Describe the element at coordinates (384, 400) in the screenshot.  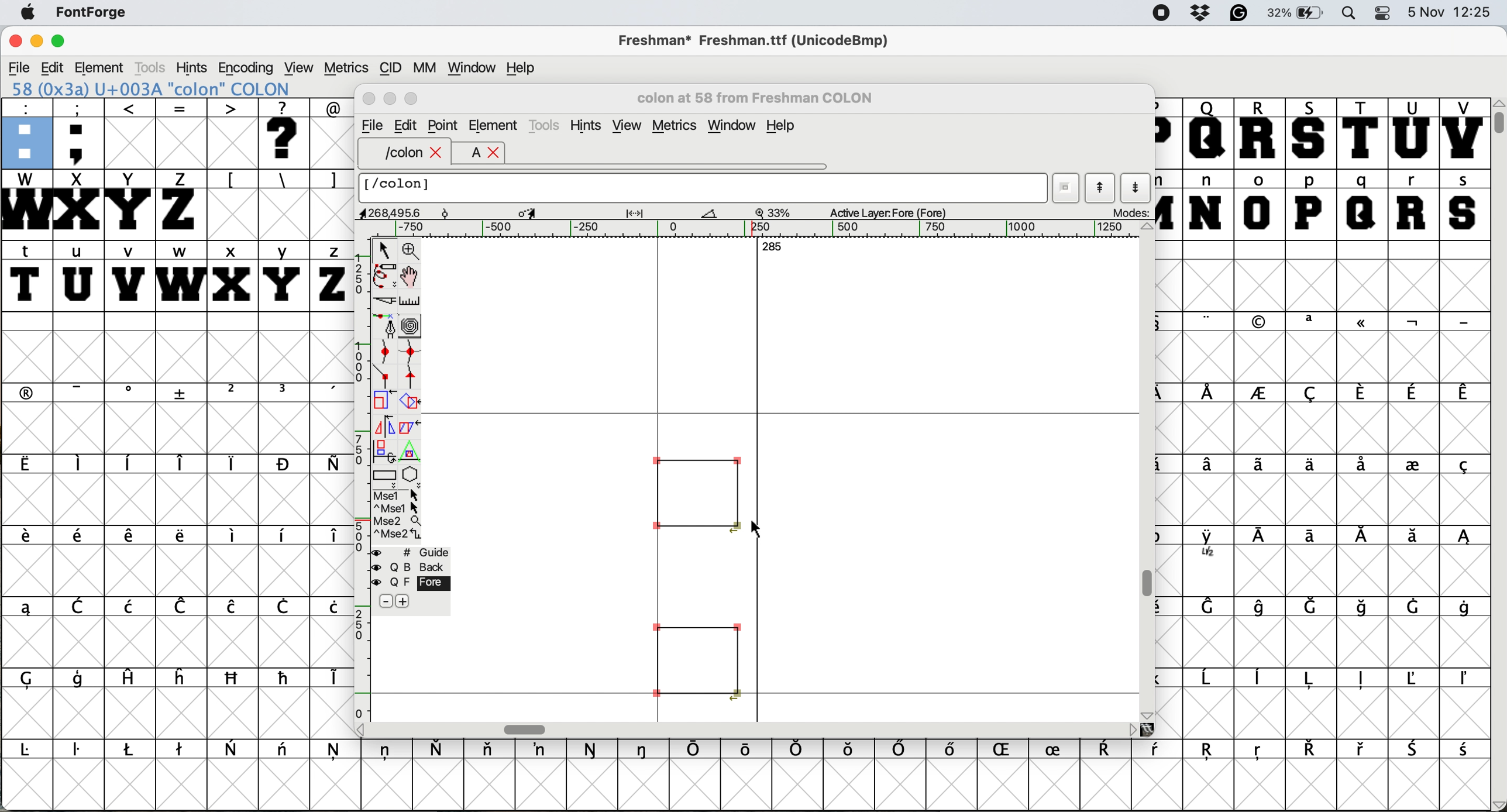
I see `scale the selection` at that location.